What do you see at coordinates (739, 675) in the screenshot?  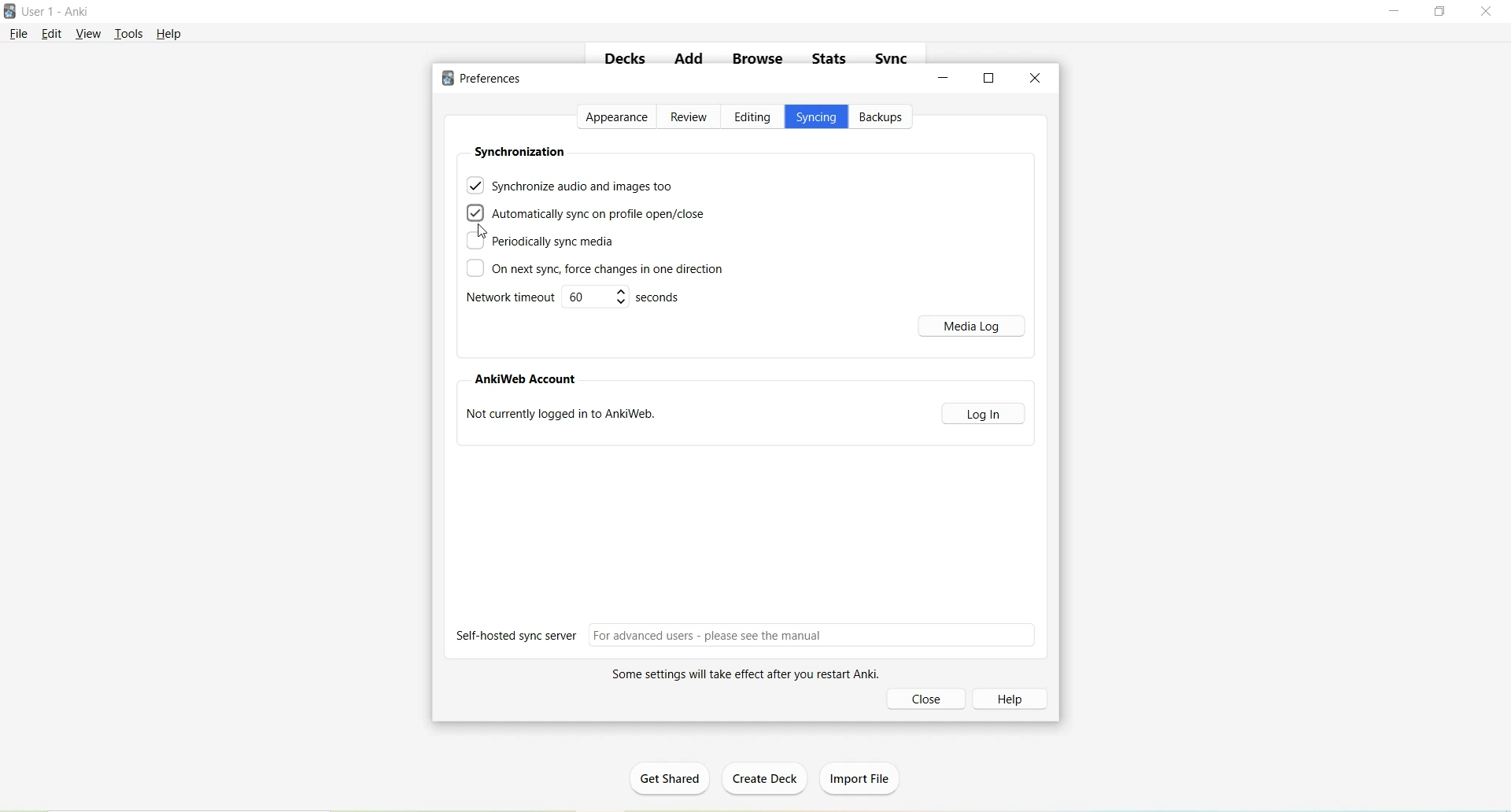 I see `Some settings will take effect after you restart Anki.` at bounding box center [739, 675].